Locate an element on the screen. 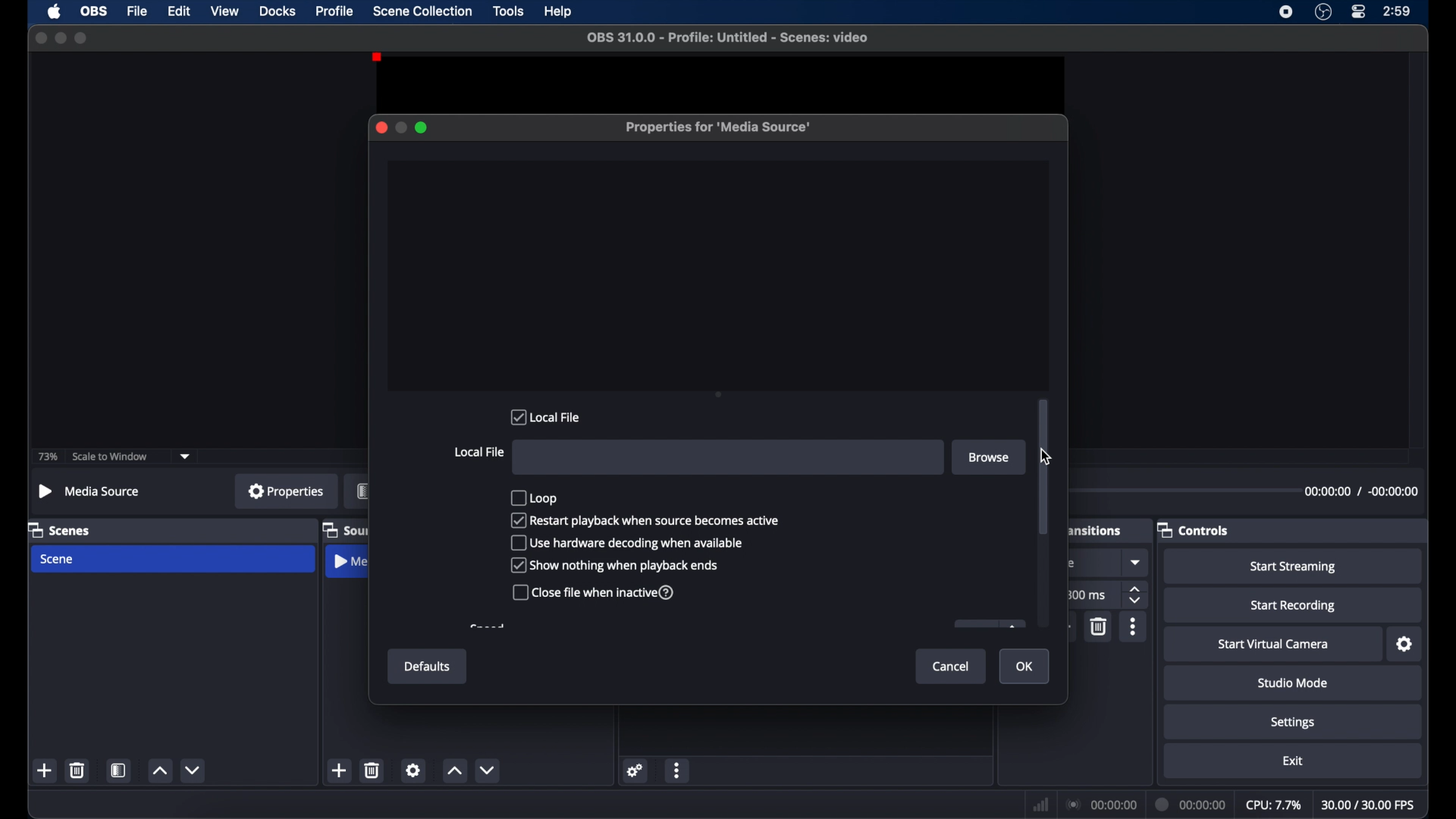 This screenshot has width=1456, height=819. delete is located at coordinates (372, 770).